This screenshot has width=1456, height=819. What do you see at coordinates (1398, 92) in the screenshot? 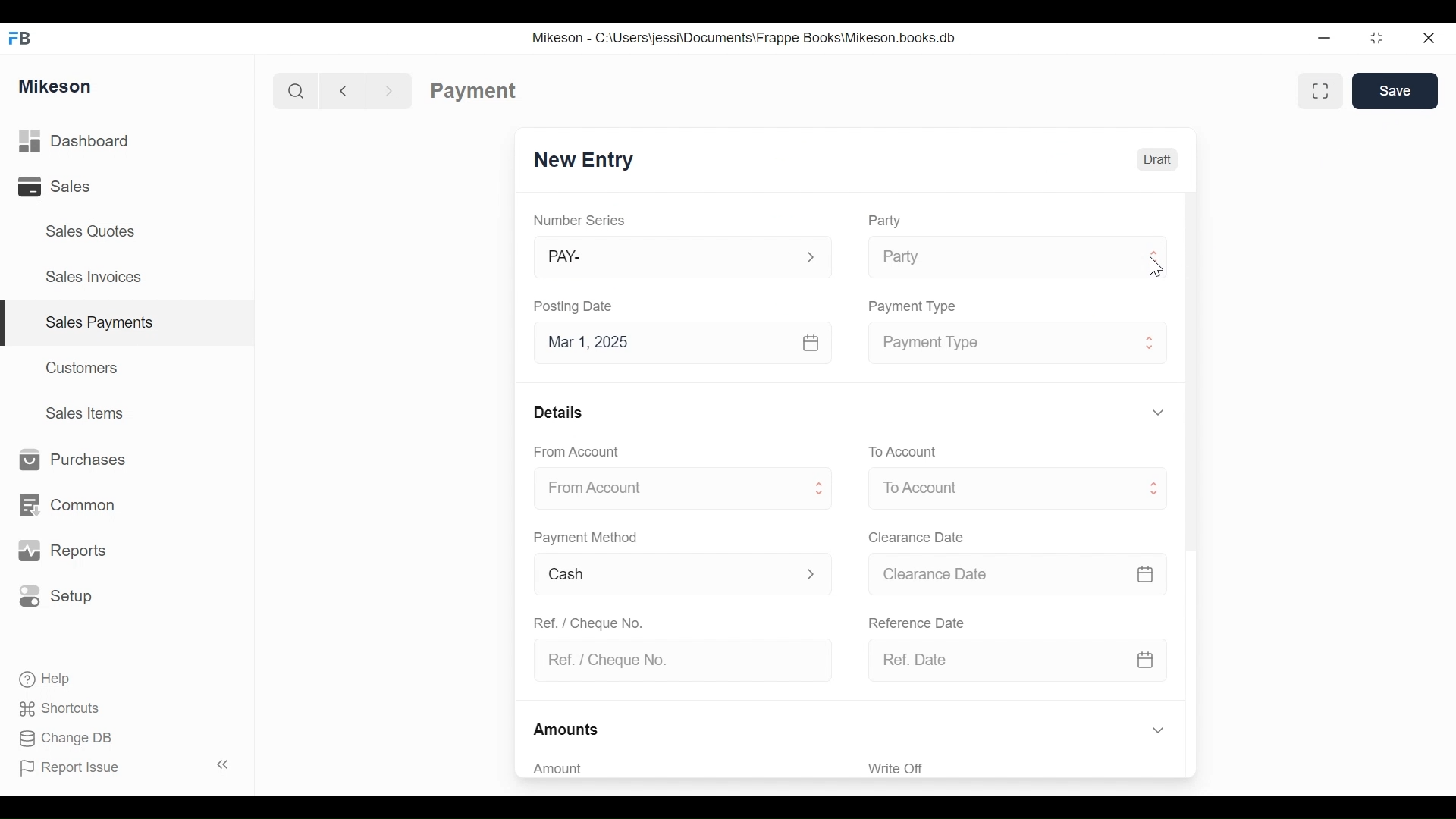
I see `Save` at bounding box center [1398, 92].